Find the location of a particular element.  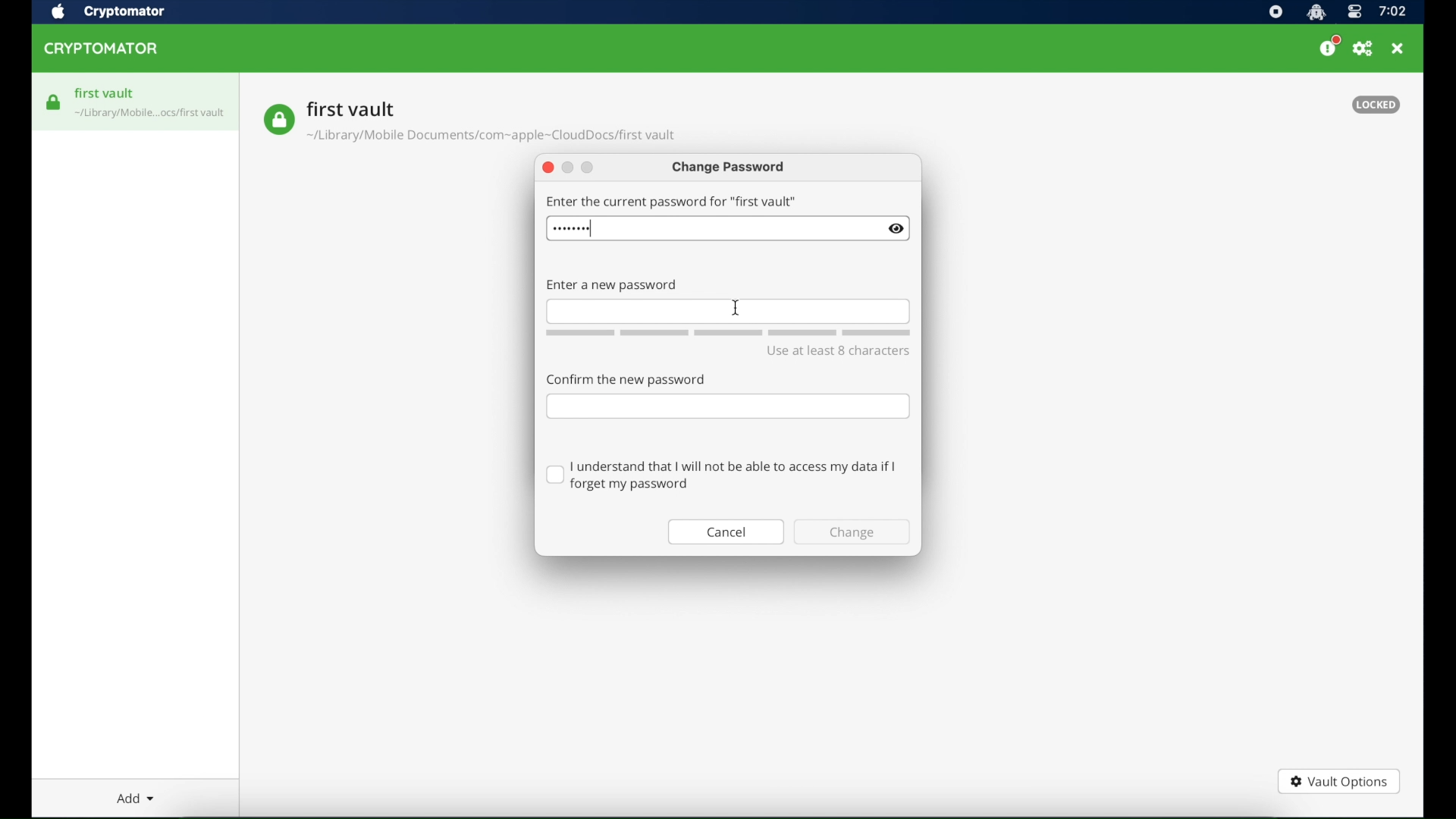

enter the current password for first vault is located at coordinates (671, 201).